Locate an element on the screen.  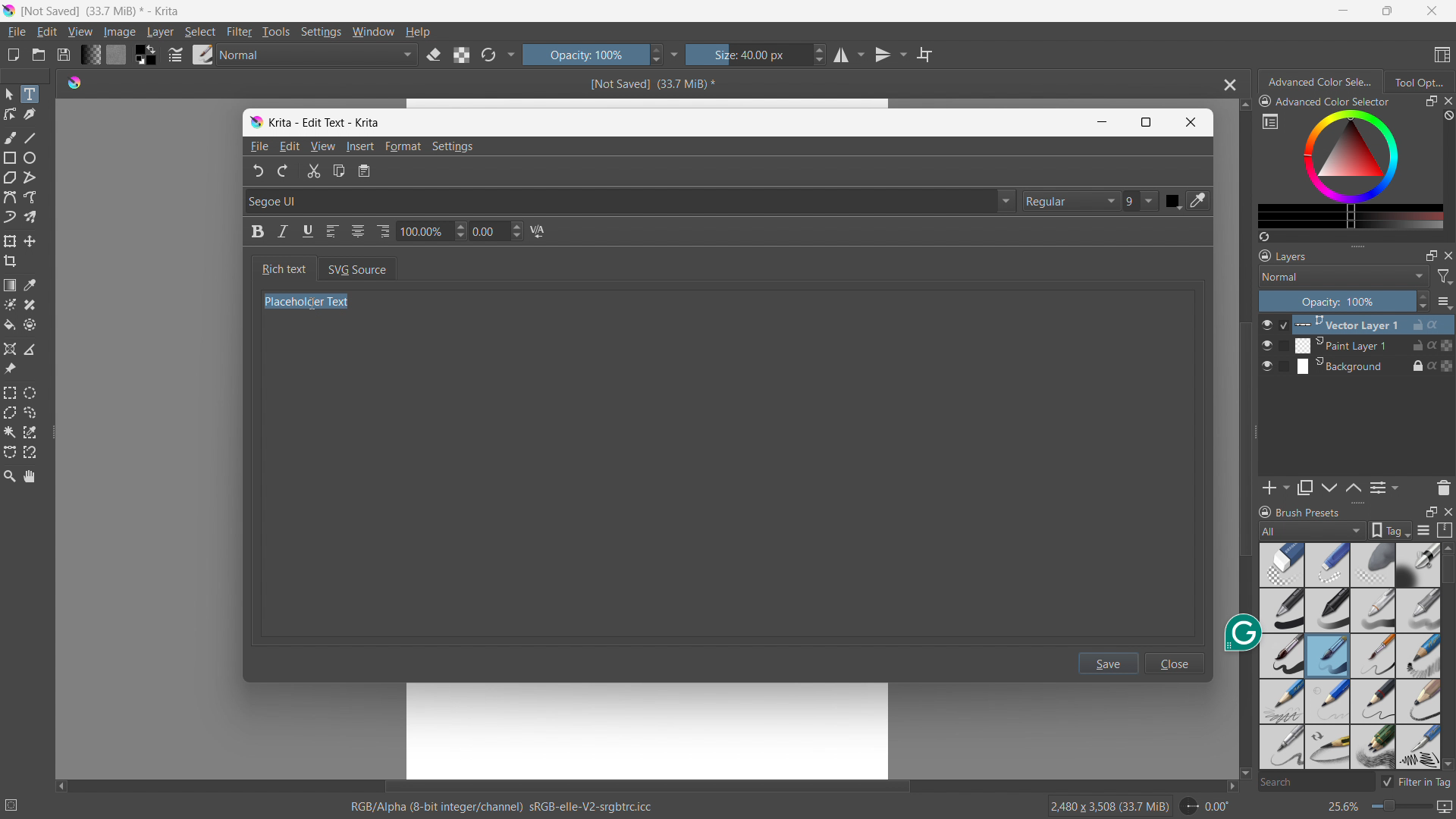
align right is located at coordinates (383, 231).